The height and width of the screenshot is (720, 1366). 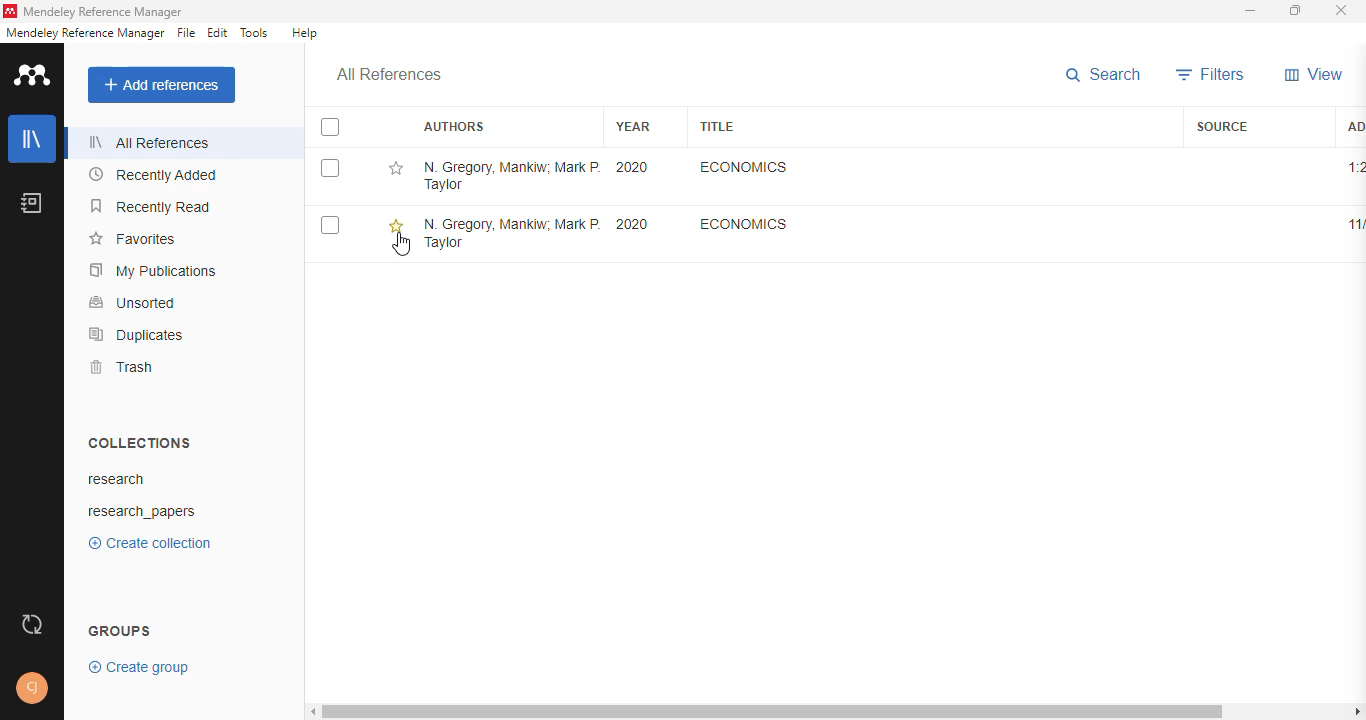 I want to click on my publications, so click(x=152, y=271).